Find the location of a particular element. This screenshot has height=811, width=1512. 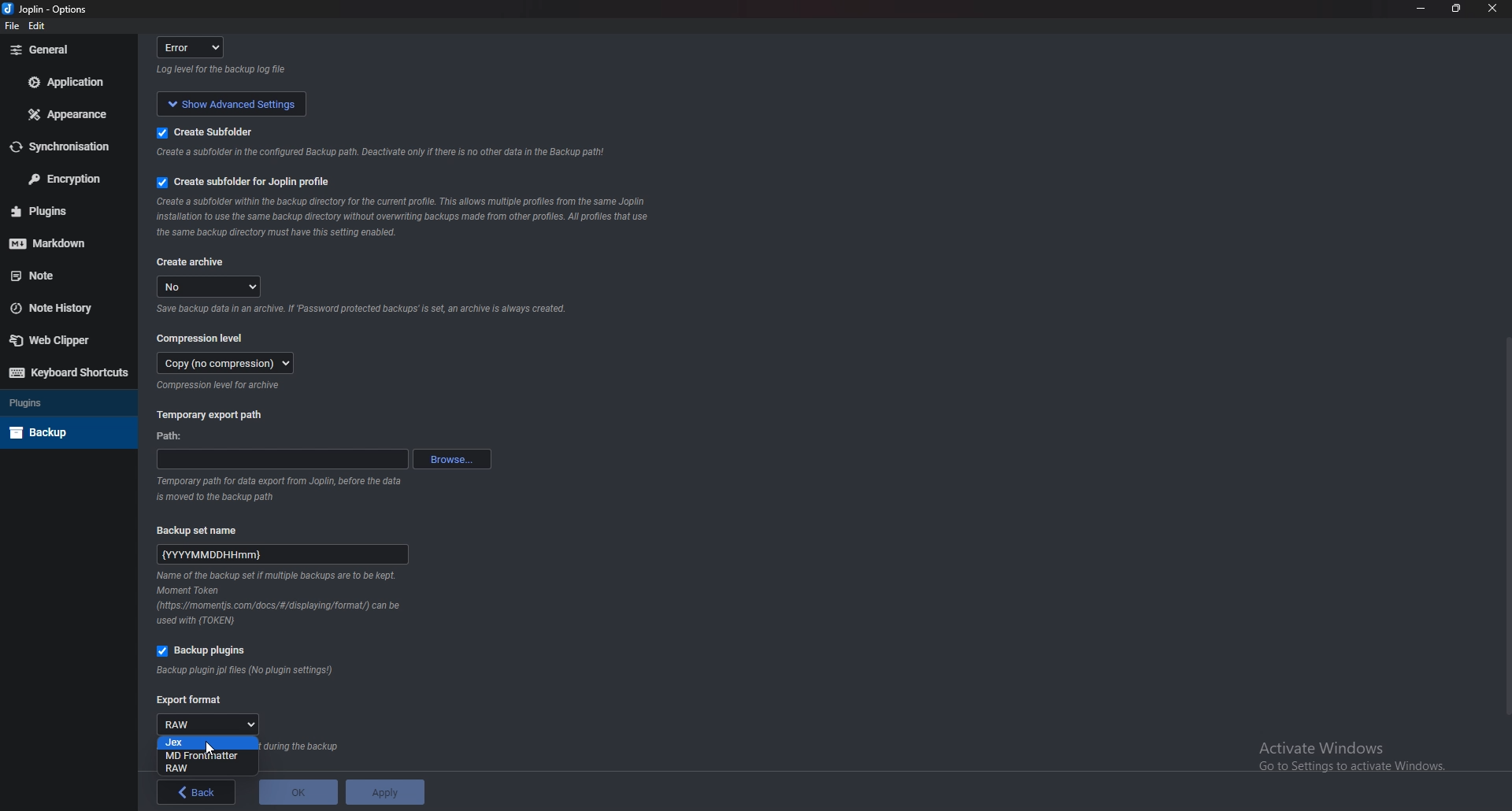

info is located at coordinates (361, 310).